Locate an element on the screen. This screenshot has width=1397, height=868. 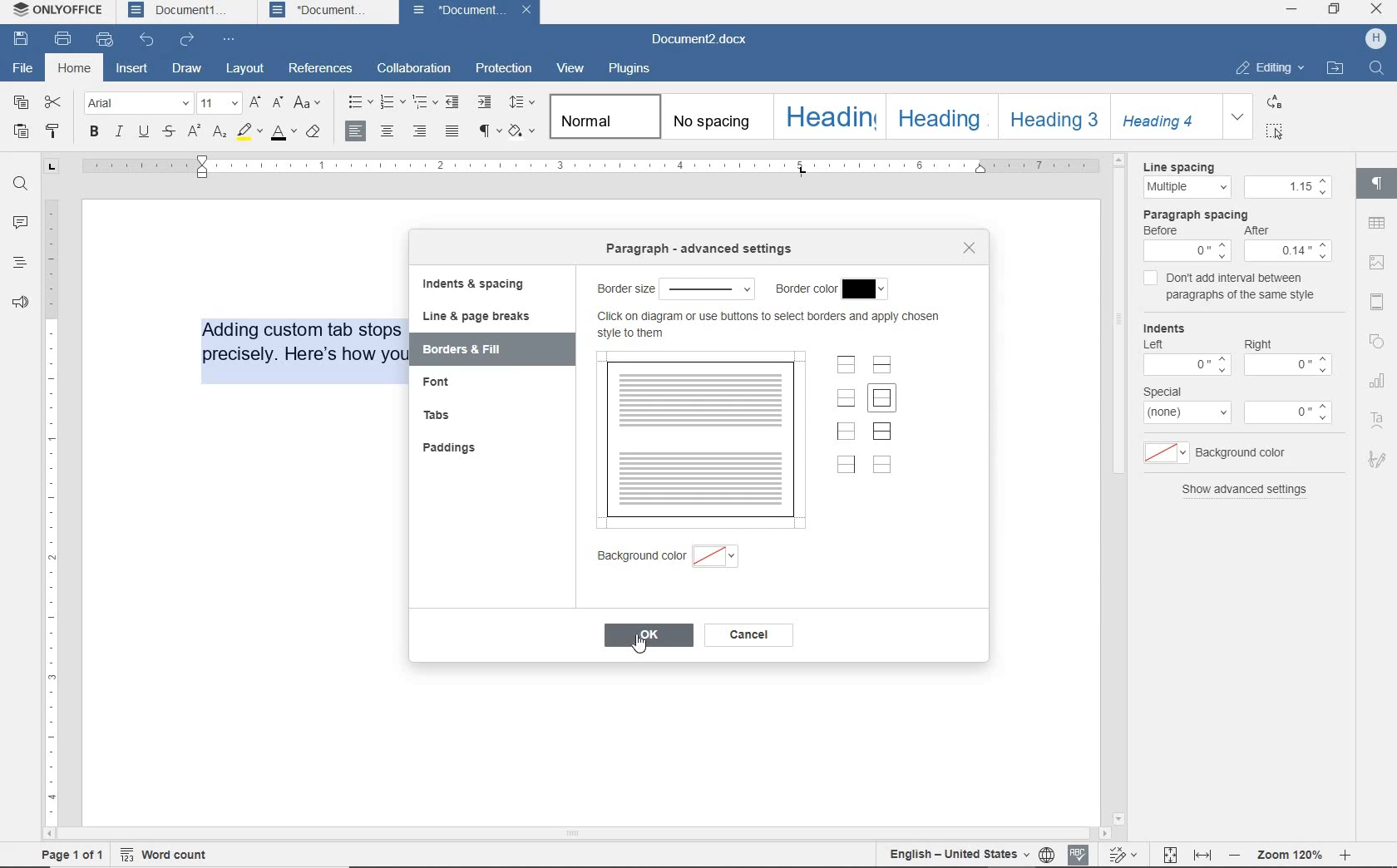
ruler is located at coordinates (52, 501).